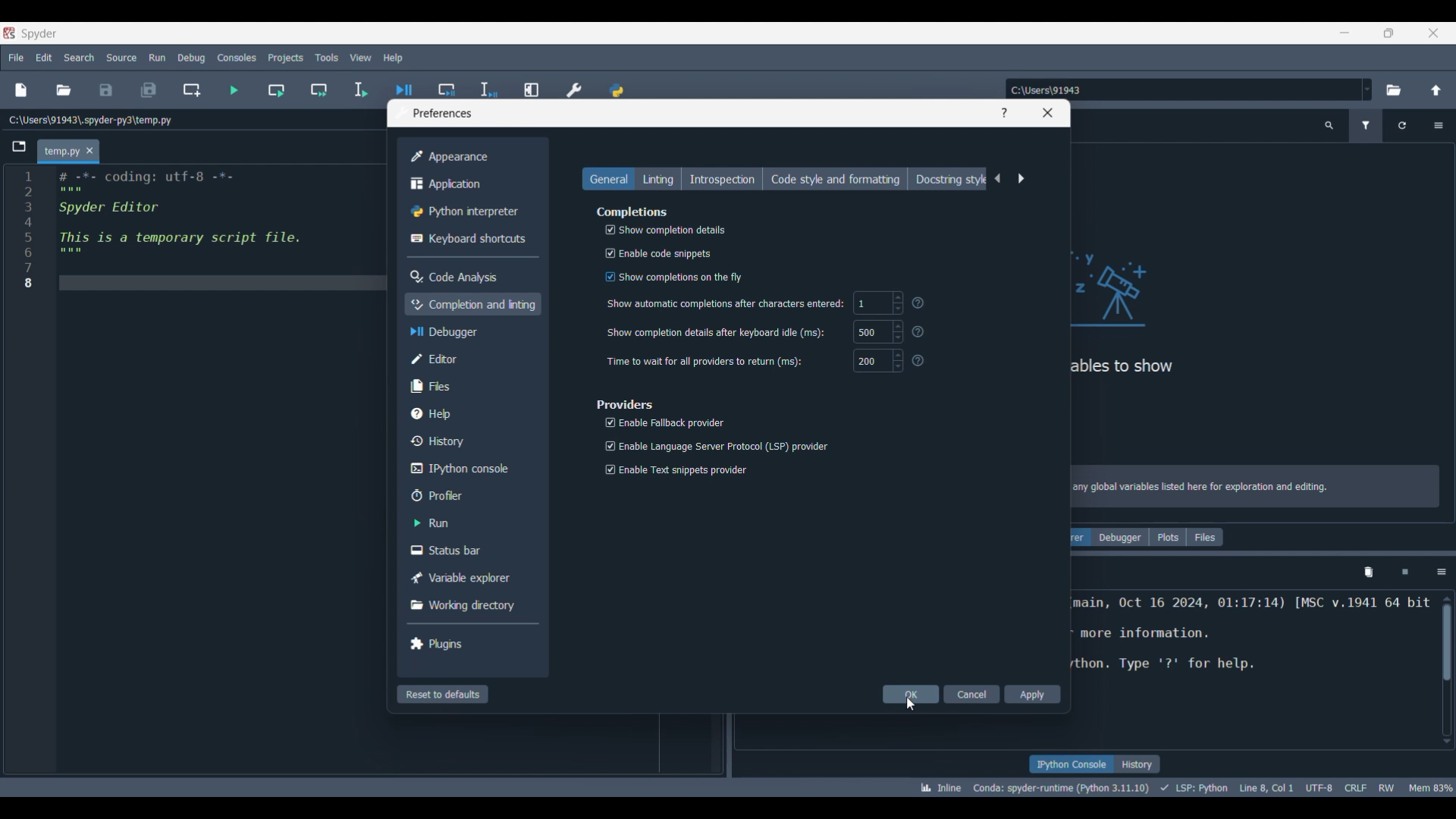  I want to click on Status bar, so click(469, 549).